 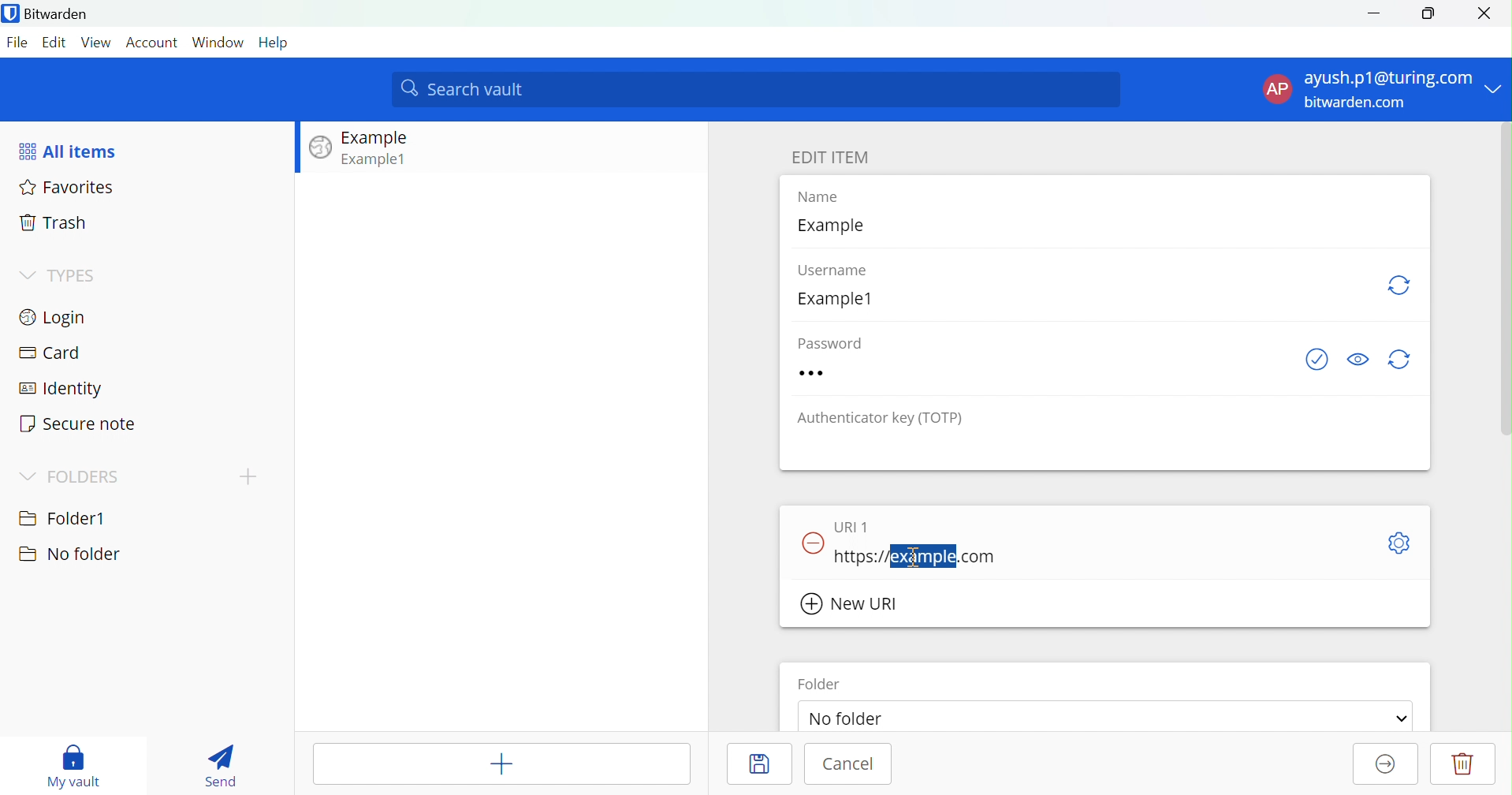 What do you see at coordinates (821, 684) in the screenshot?
I see `Folder` at bounding box center [821, 684].